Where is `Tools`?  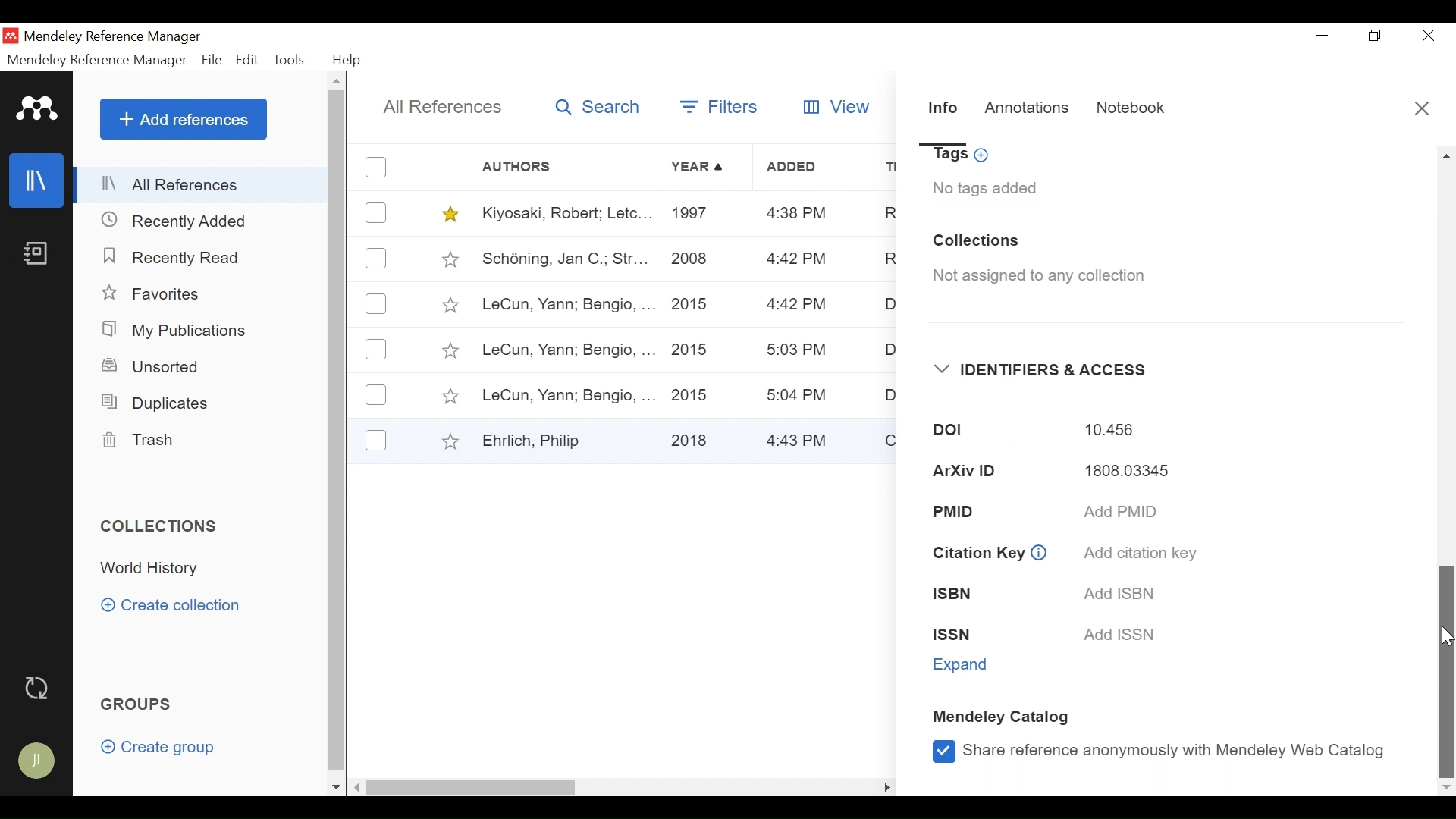
Tools is located at coordinates (290, 61).